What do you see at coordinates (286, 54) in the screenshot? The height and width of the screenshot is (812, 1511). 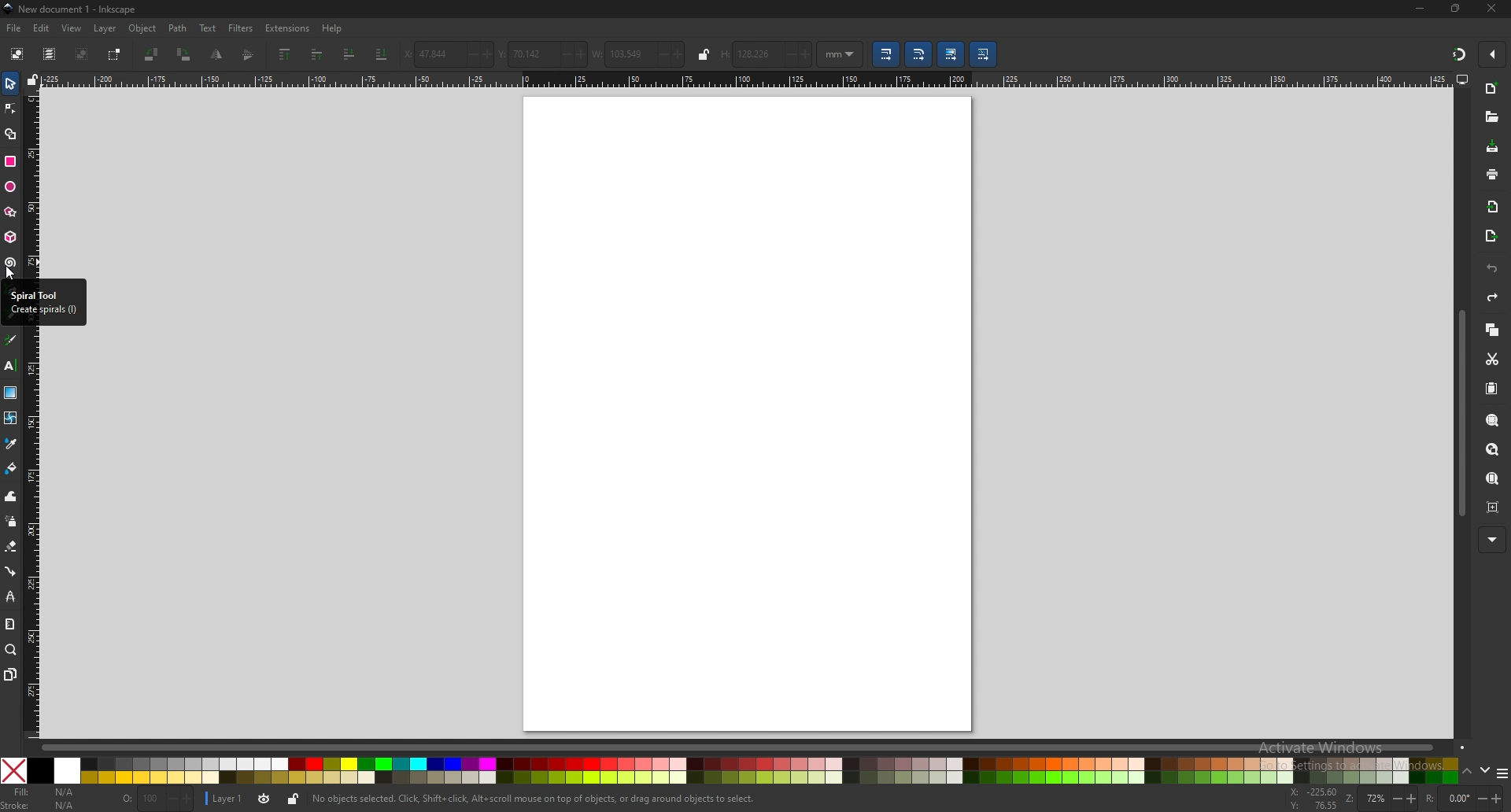 I see `raise selection to top` at bounding box center [286, 54].